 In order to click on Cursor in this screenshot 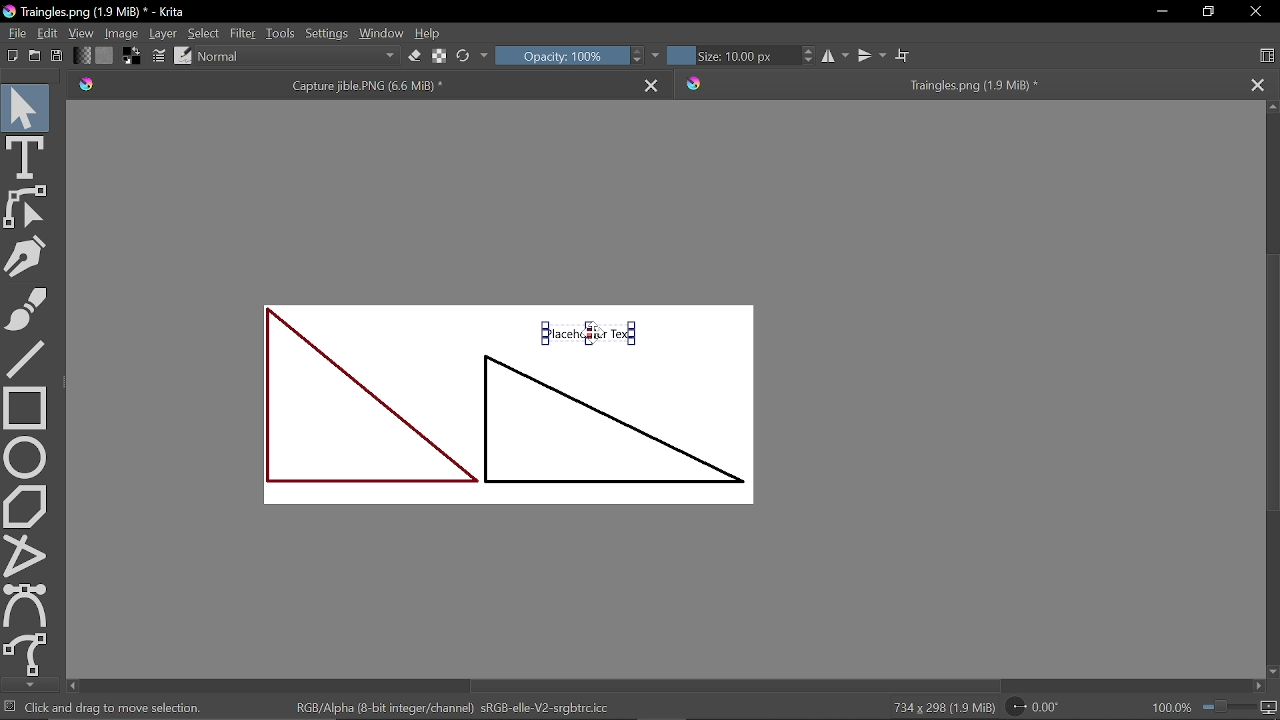, I will do `click(588, 336)`.